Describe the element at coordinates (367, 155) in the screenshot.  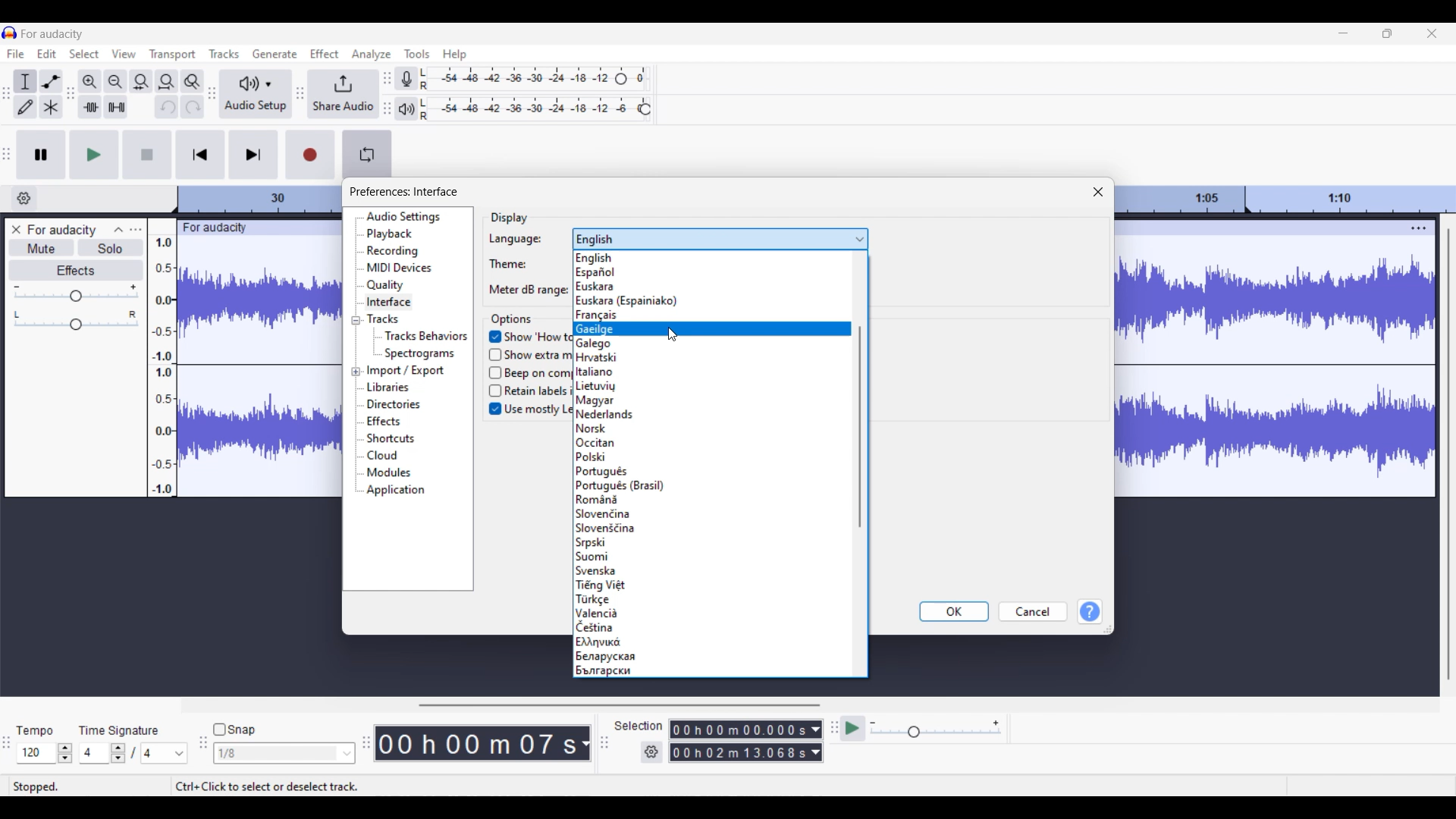
I see `Enable looping` at that location.